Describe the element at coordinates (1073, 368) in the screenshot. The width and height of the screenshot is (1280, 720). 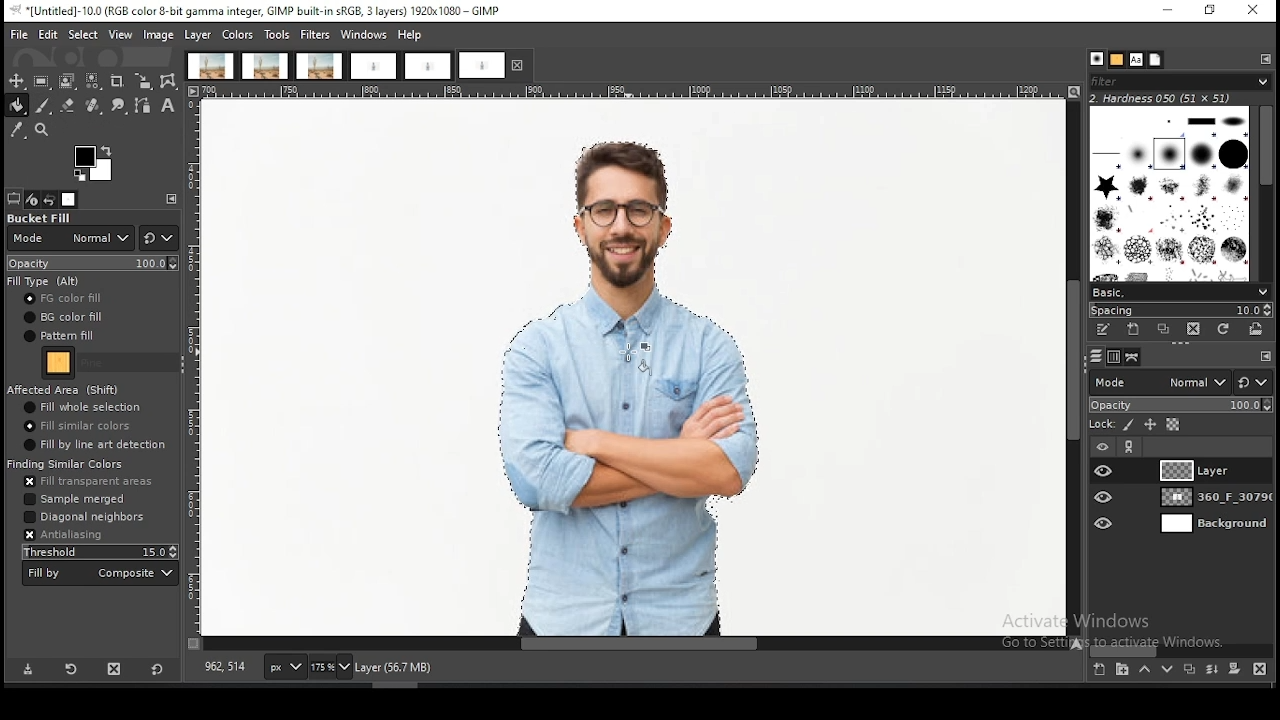
I see `scroll bar` at that location.